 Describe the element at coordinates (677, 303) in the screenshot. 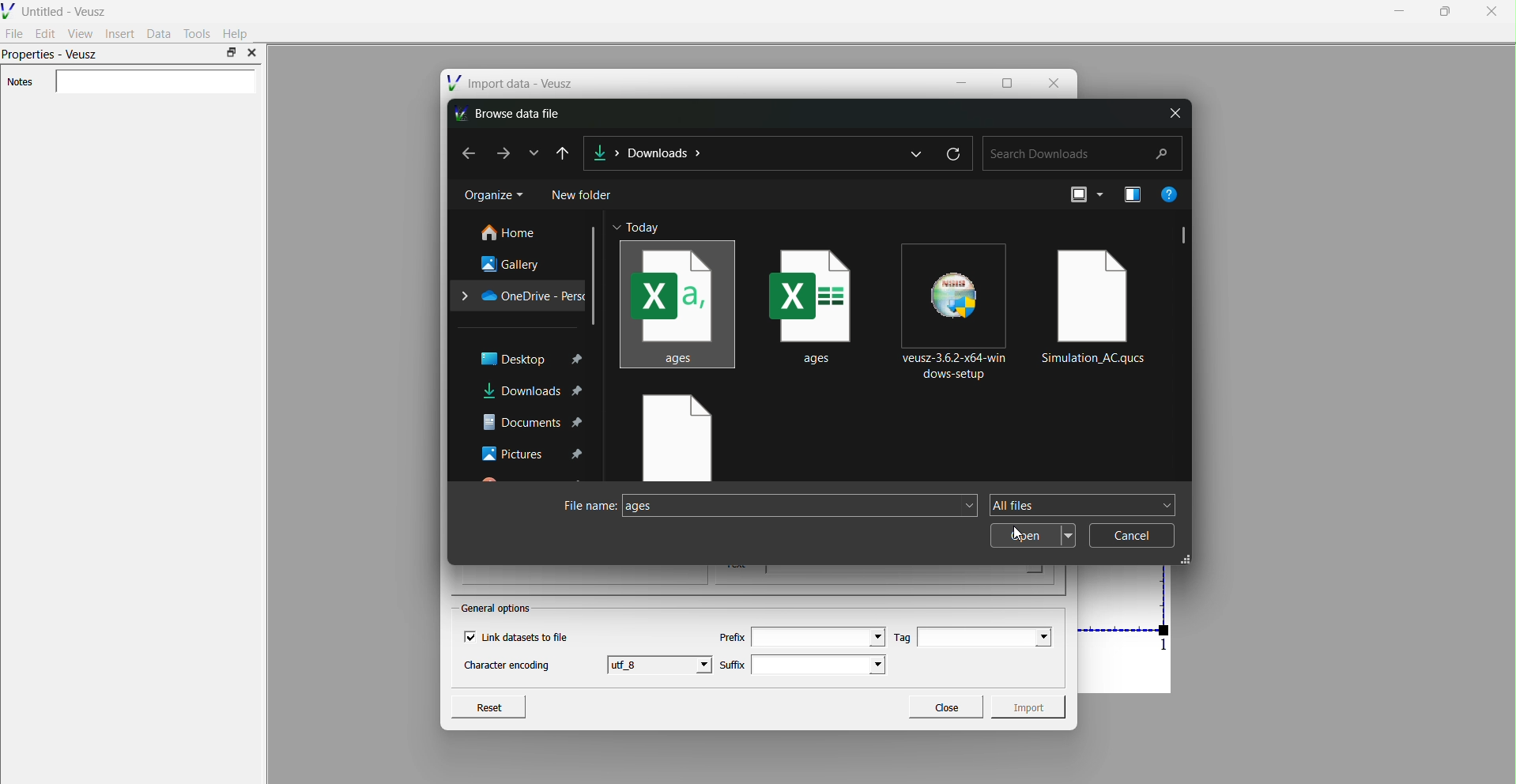

I see `ages` at that location.